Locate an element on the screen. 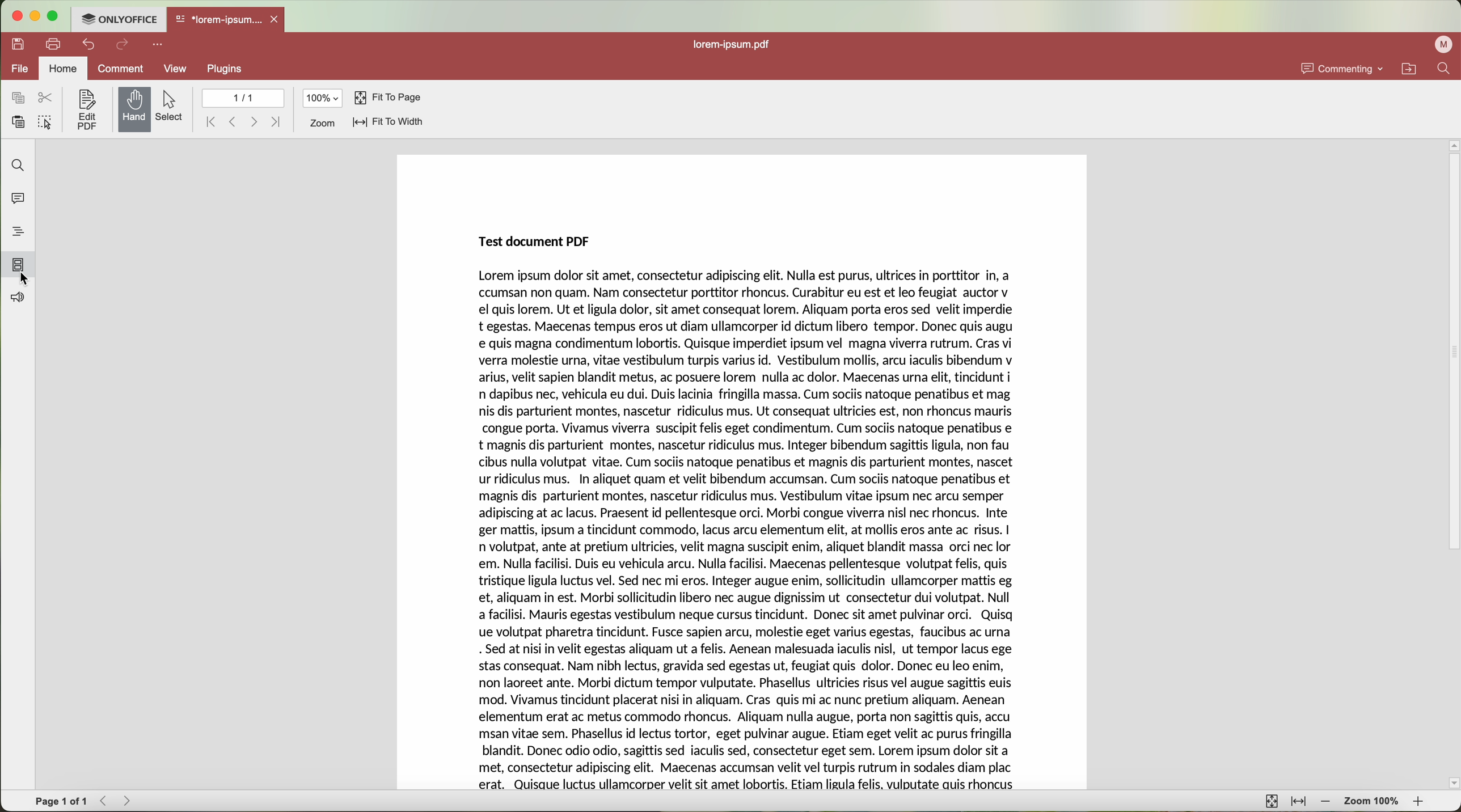  undo is located at coordinates (86, 44).